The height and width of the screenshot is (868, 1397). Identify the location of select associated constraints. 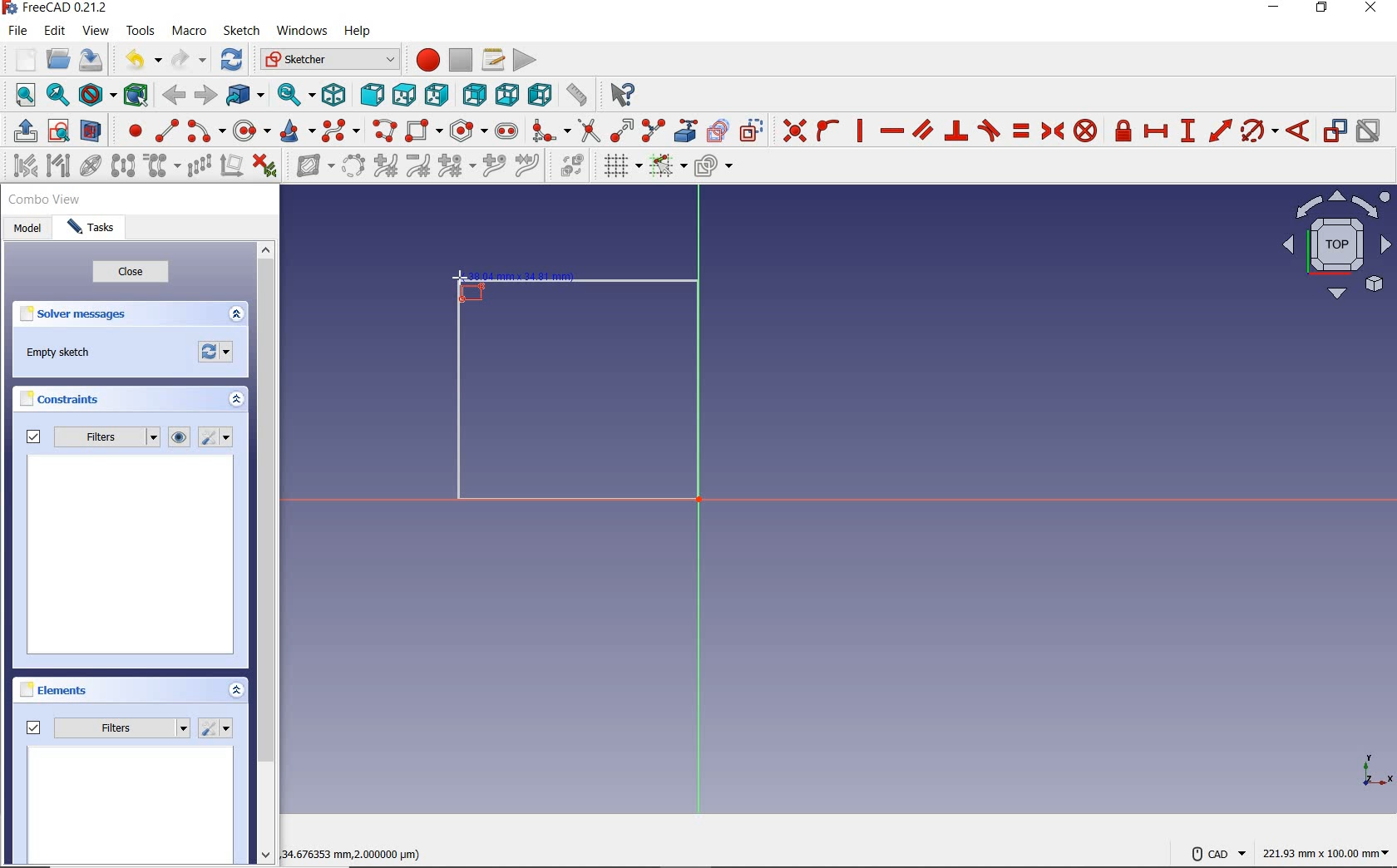
(21, 167).